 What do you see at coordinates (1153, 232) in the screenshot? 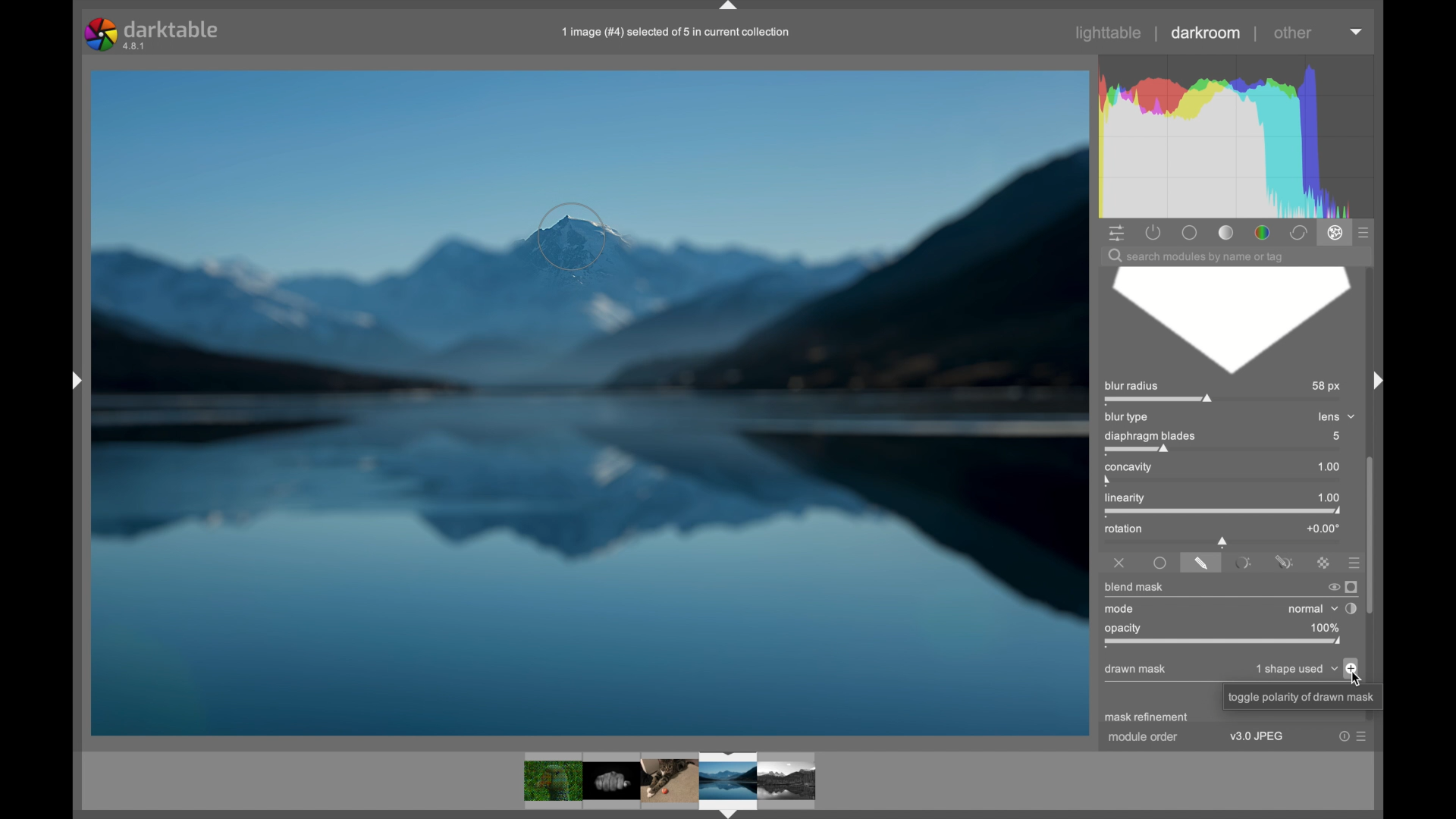
I see `show active modules only` at bounding box center [1153, 232].